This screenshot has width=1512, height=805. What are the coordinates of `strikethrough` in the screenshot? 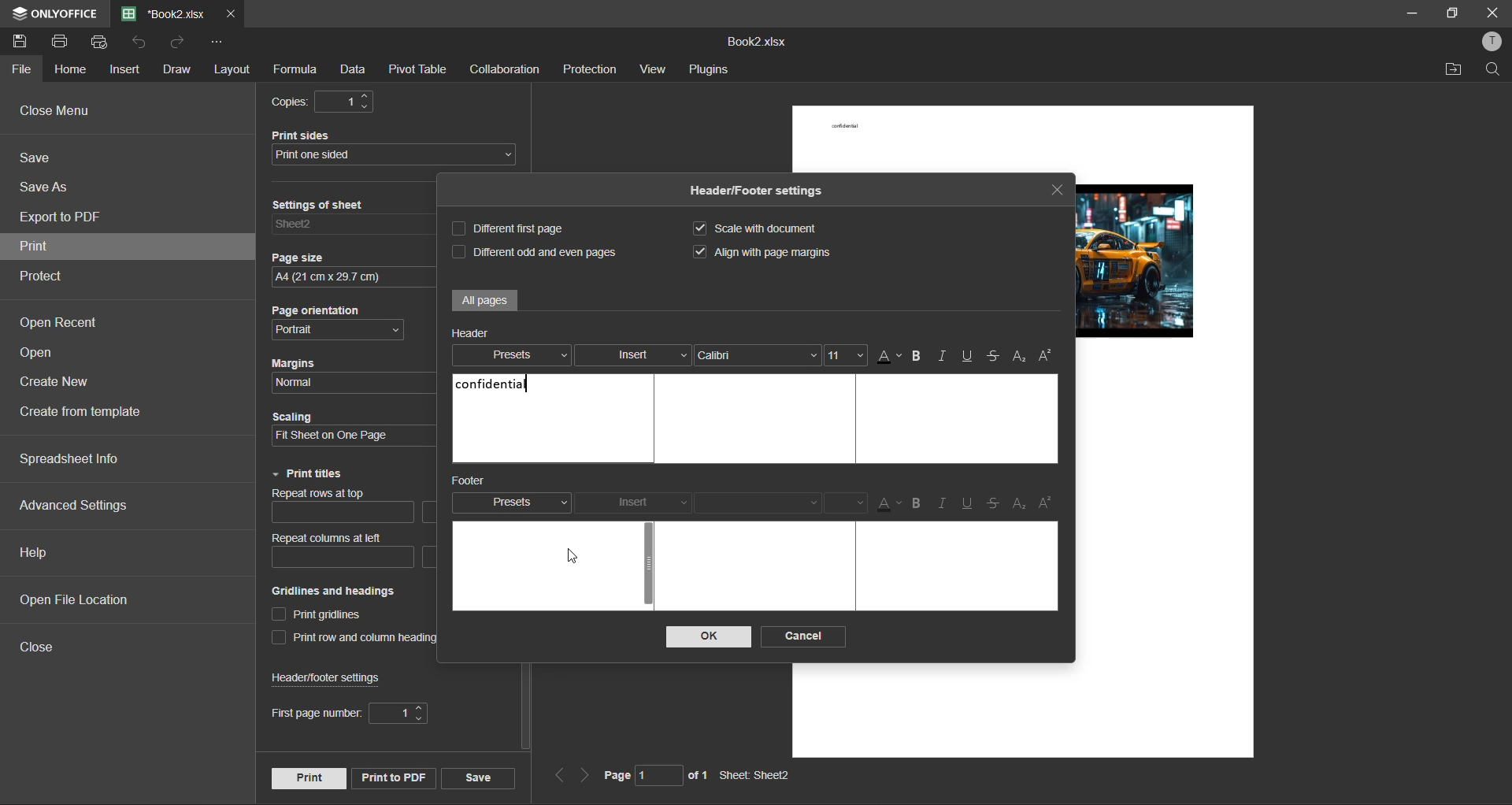 It's located at (997, 357).